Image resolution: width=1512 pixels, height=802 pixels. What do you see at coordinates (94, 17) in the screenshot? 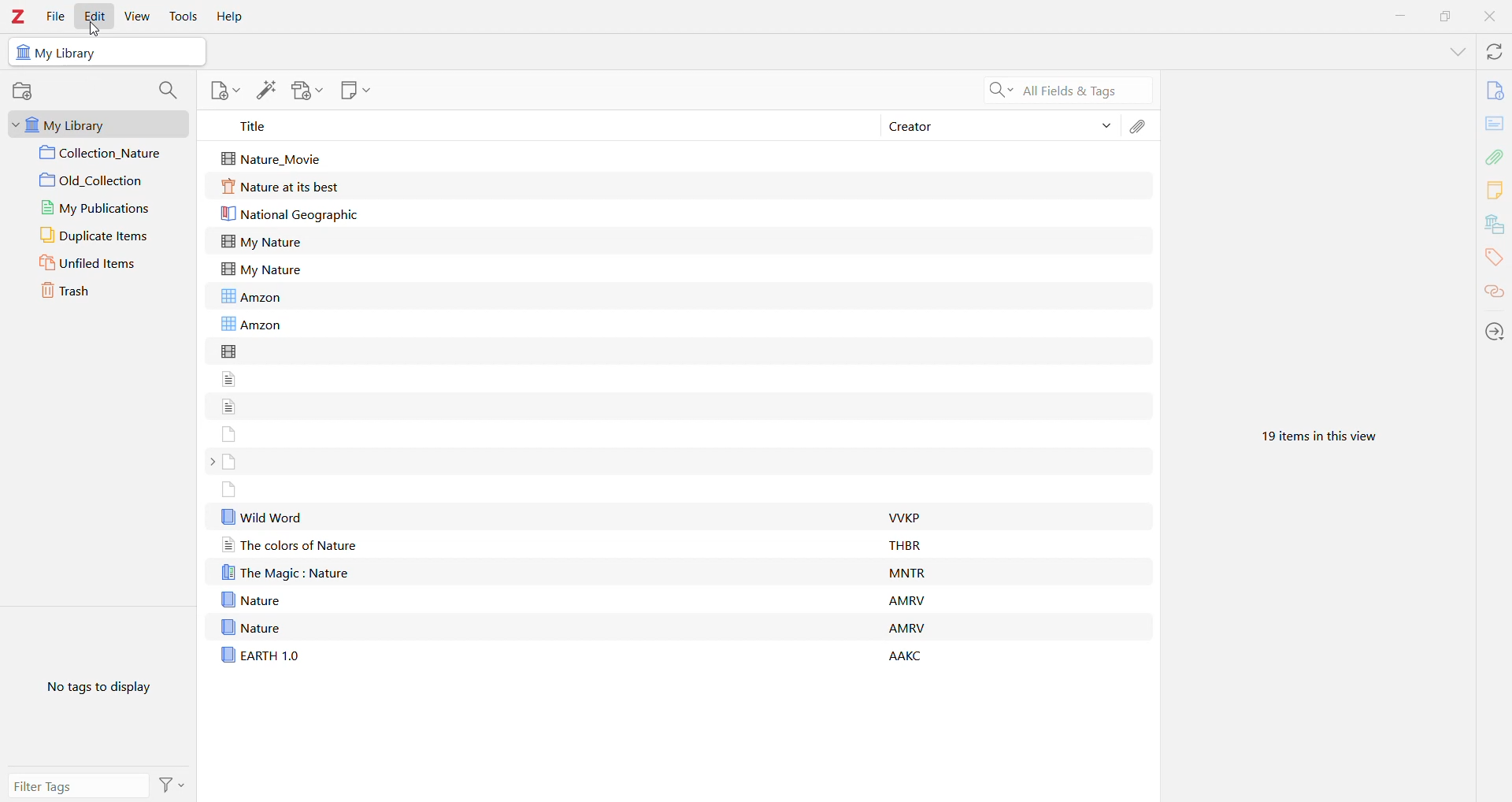
I see `Edit` at bounding box center [94, 17].